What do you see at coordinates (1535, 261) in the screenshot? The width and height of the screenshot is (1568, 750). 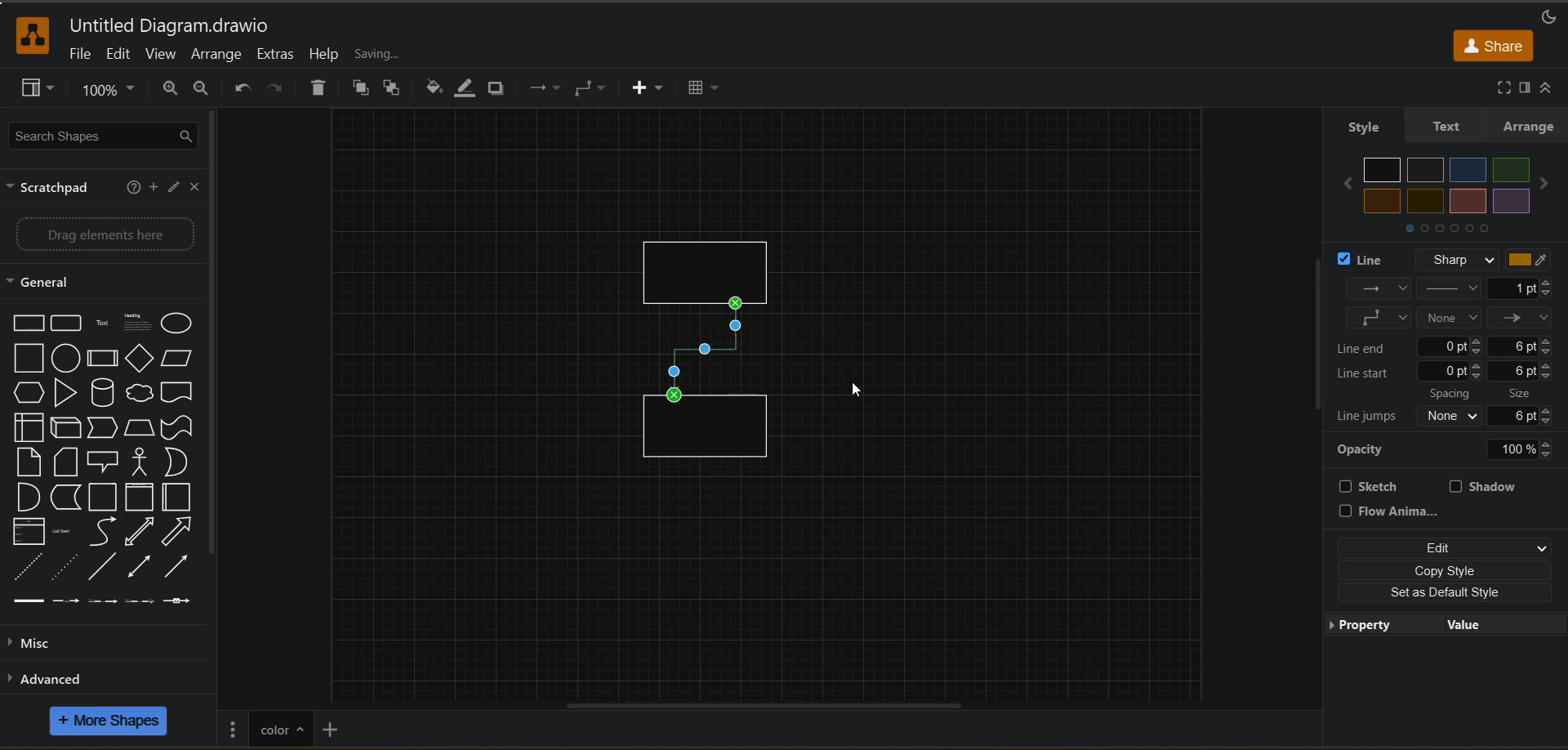 I see `line color` at bounding box center [1535, 261].